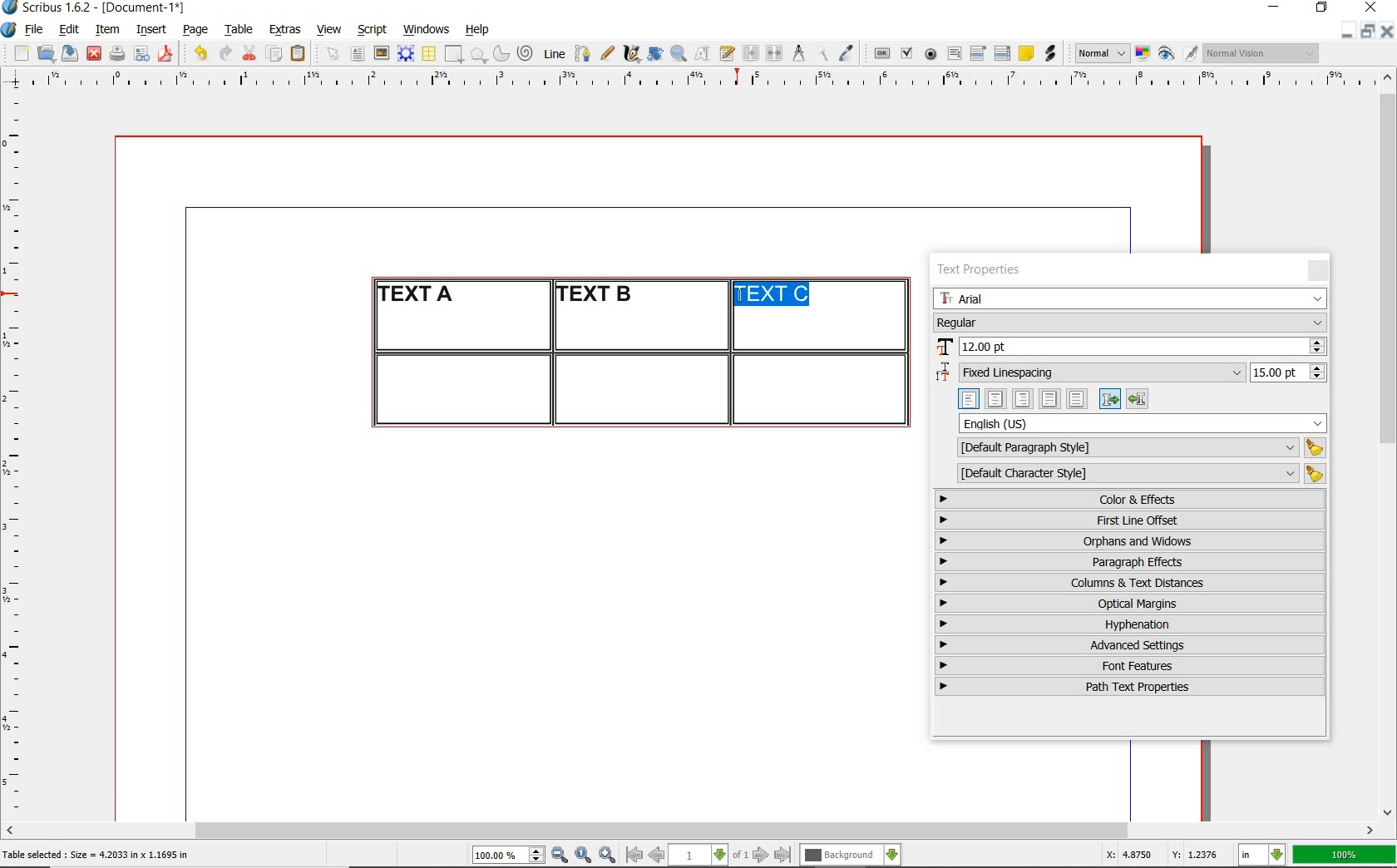  Describe the element at coordinates (195, 29) in the screenshot. I see `page` at that location.